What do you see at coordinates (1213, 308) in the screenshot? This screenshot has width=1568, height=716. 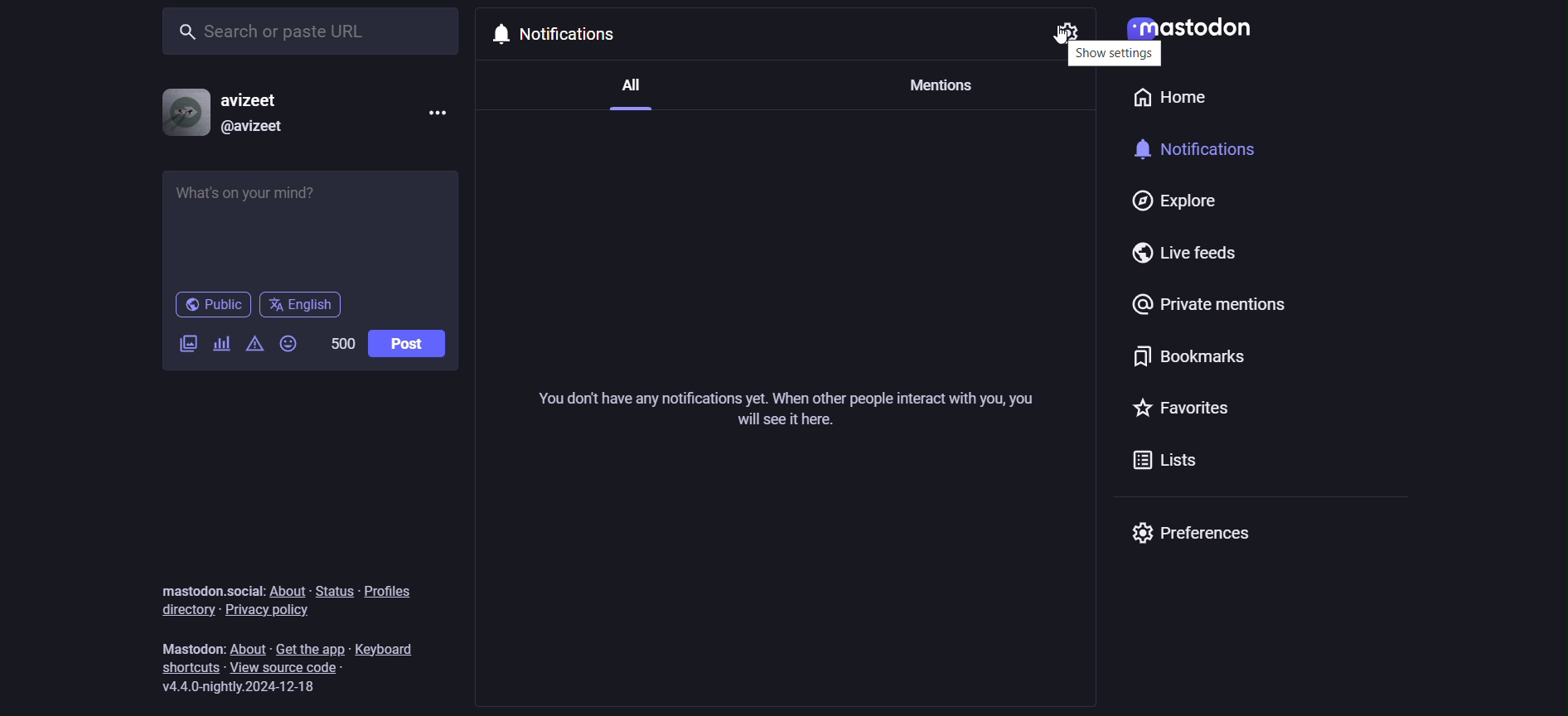 I see `private mentions` at bounding box center [1213, 308].